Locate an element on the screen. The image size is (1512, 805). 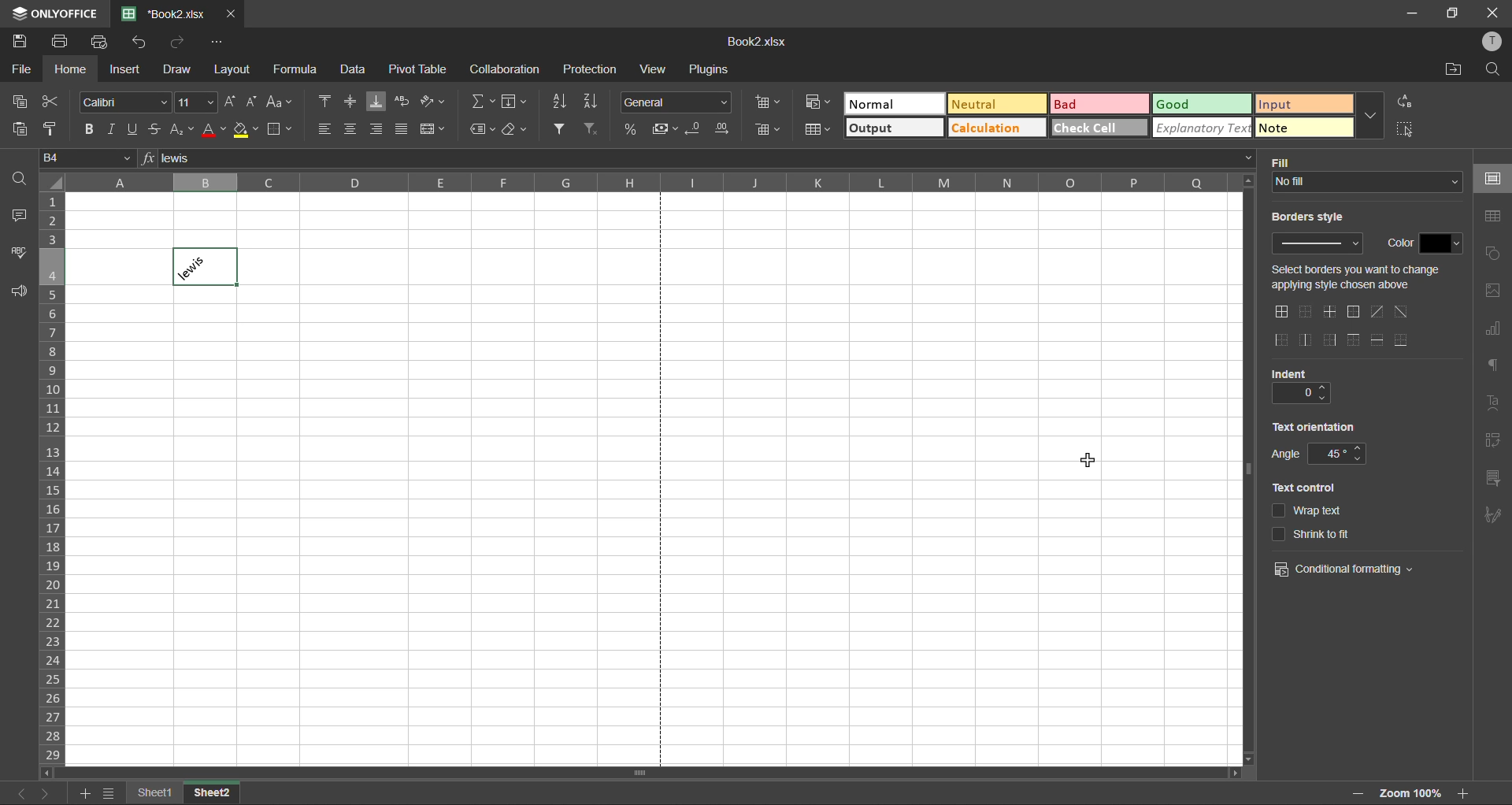
formula bar is located at coordinates (707, 161).